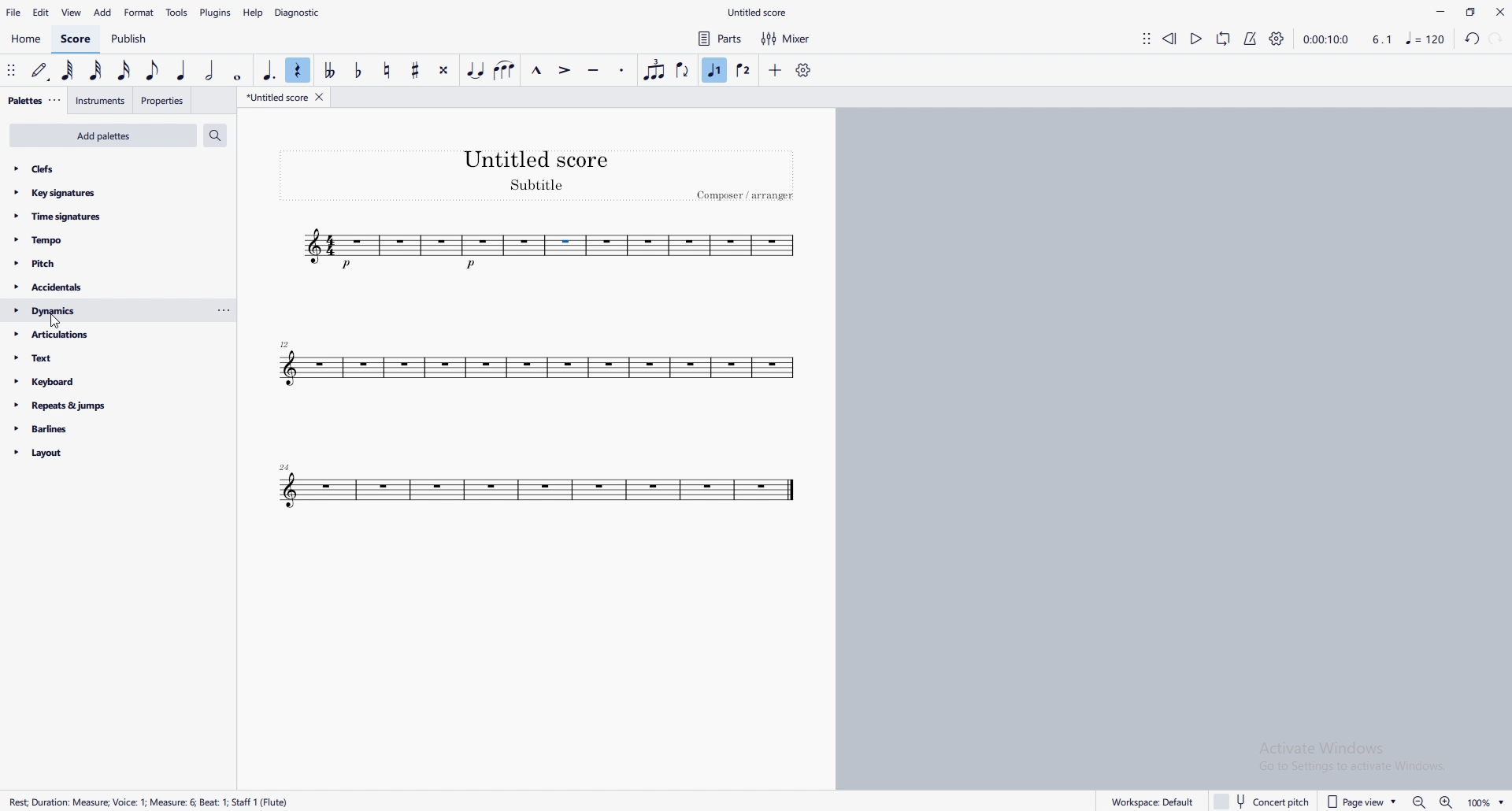 The height and width of the screenshot is (811, 1512). I want to click on voice 2, so click(742, 71).